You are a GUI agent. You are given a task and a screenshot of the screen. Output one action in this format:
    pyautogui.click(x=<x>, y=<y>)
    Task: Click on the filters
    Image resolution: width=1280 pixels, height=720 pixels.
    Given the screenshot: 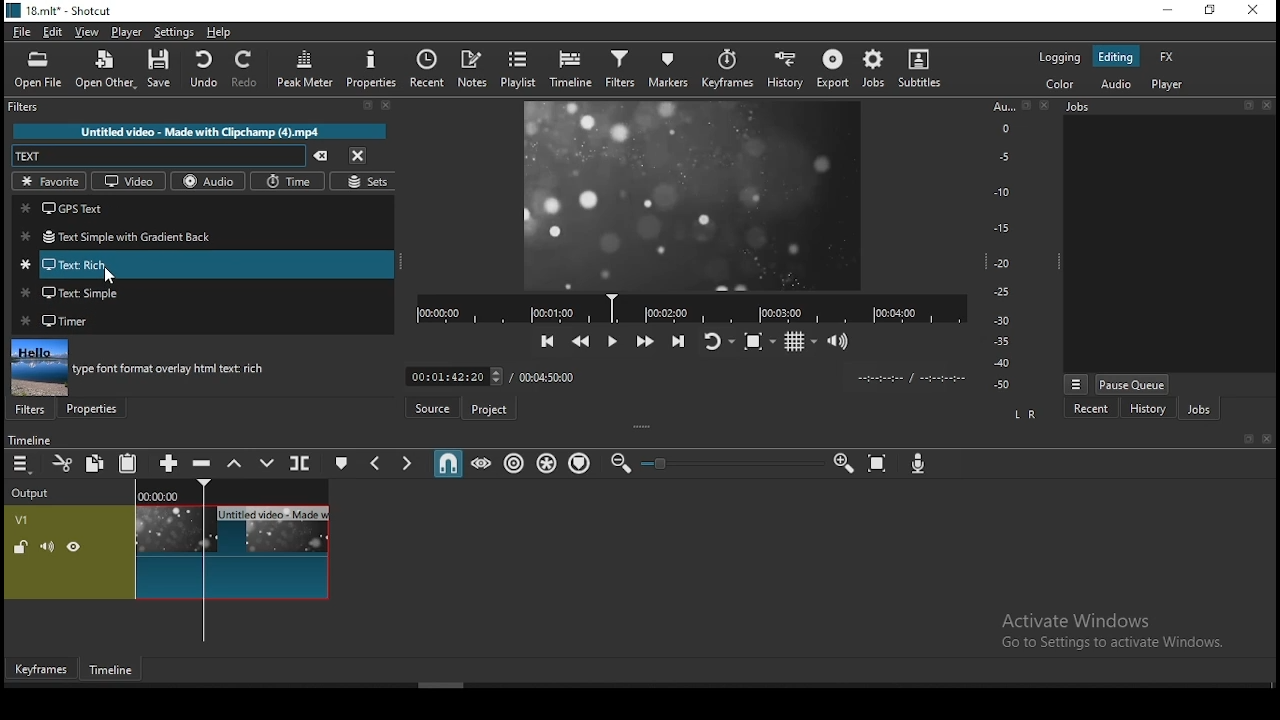 What is the action you would take?
    pyautogui.click(x=26, y=107)
    